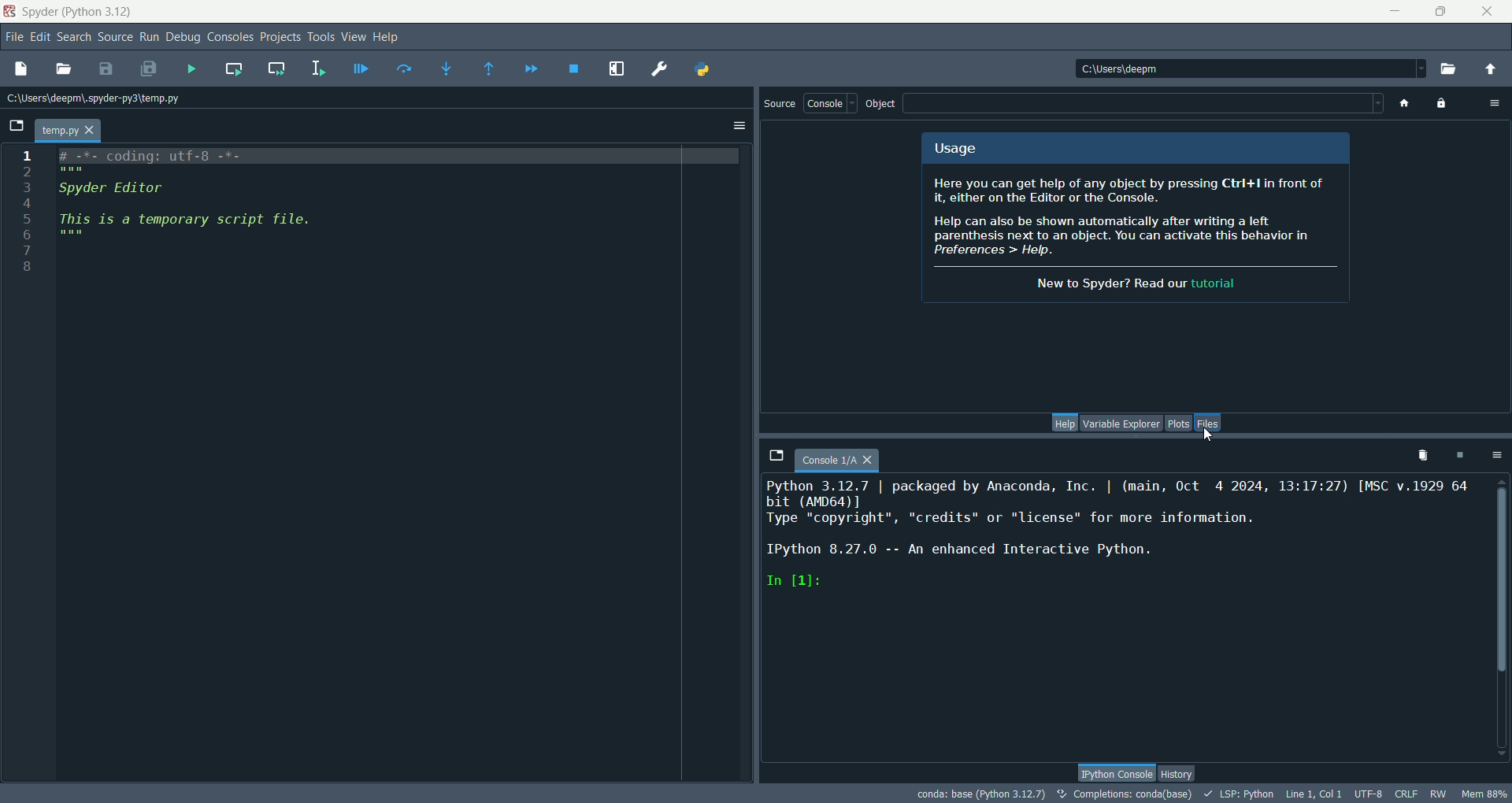 This screenshot has height=803, width=1512. What do you see at coordinates (184, 38) in the screenshot?
I see `debug` at bounding box center [184, 38].